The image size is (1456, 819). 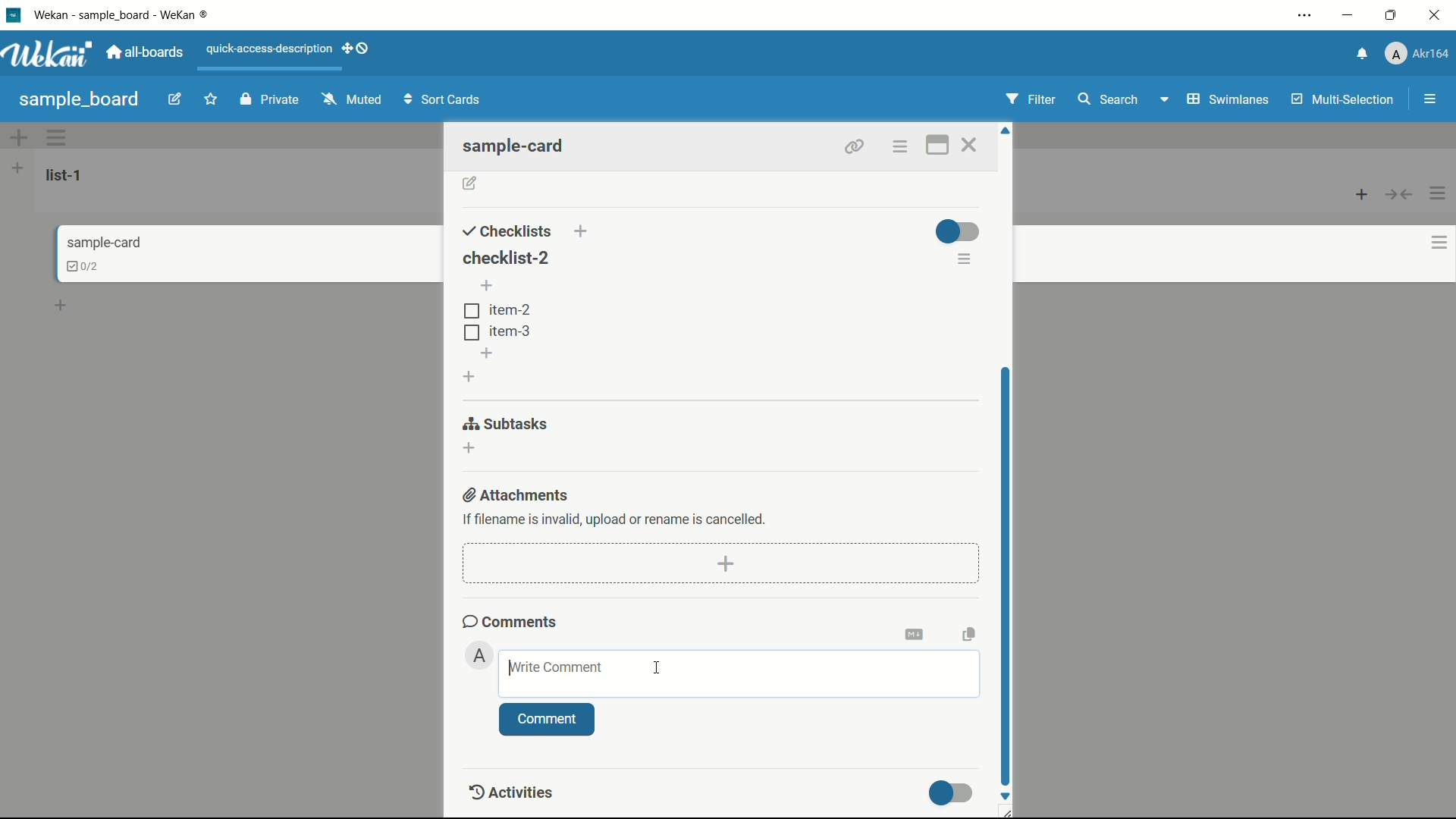 What do you see at coordinates (102, 243) in the screenshot?
I see `card name` at bounding box center [102, 243].